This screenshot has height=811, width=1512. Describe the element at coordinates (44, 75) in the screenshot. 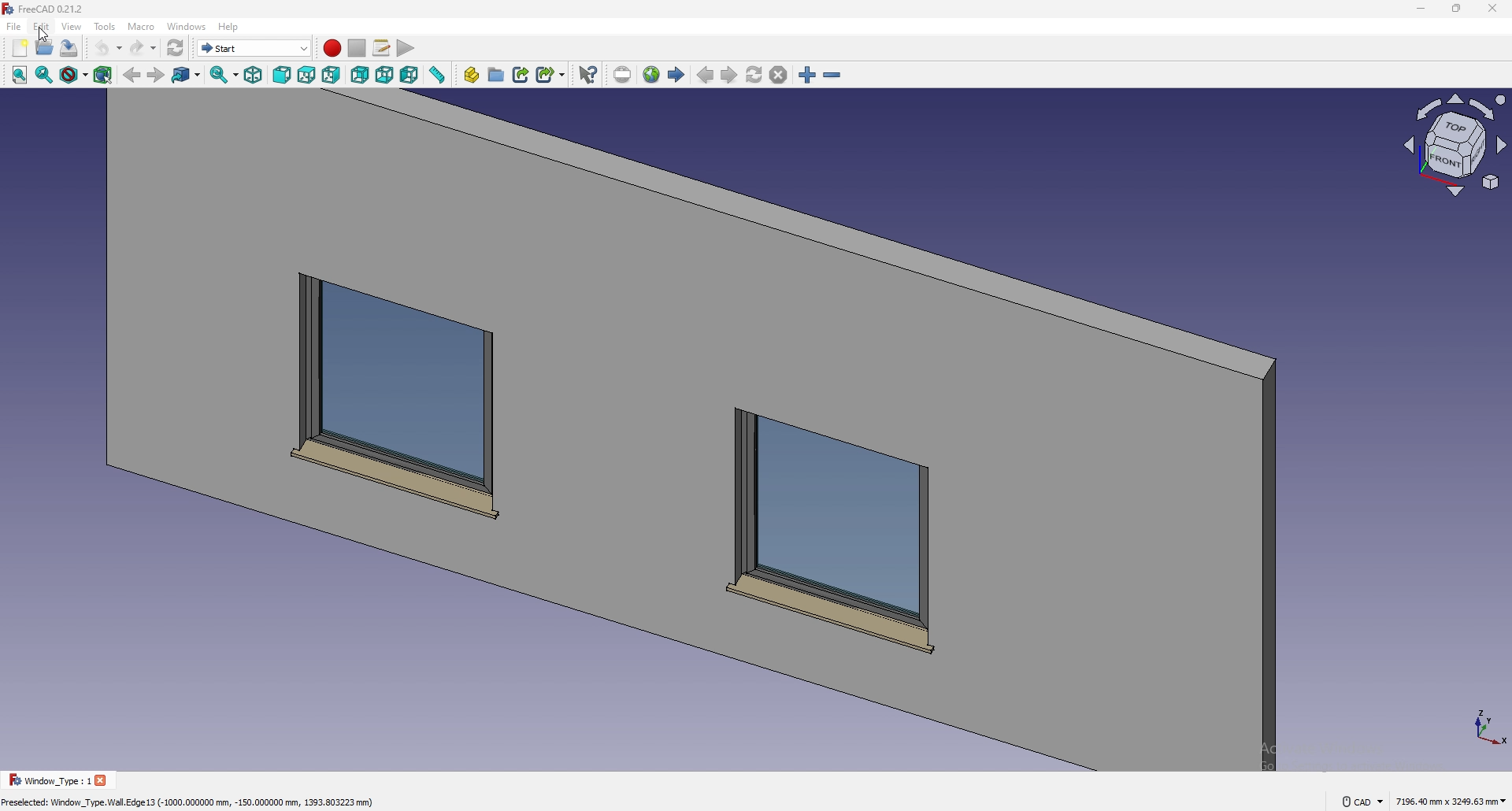

I see `fit selection` at that location.